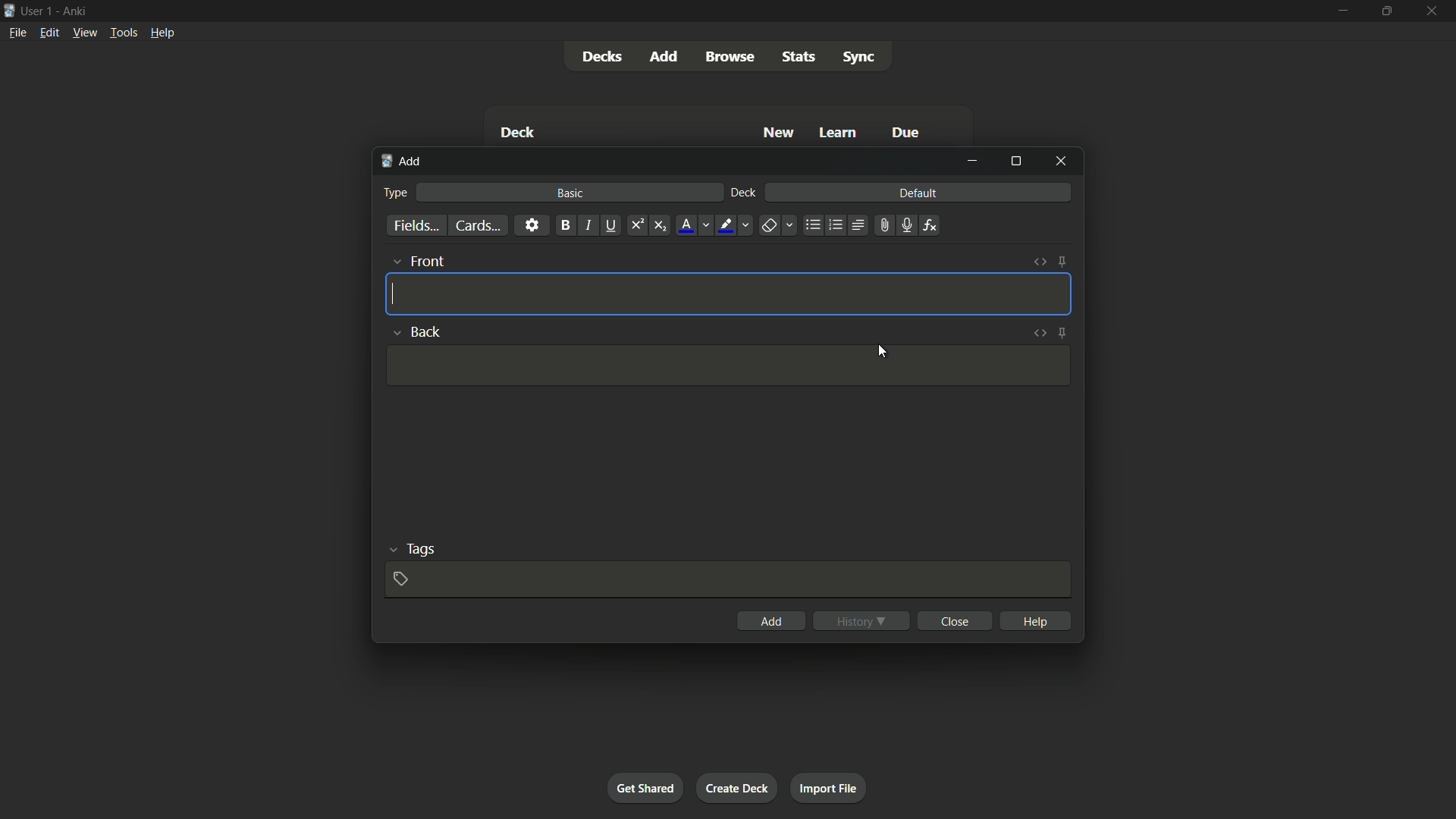  I want to click on cursor, so click(397, 293).